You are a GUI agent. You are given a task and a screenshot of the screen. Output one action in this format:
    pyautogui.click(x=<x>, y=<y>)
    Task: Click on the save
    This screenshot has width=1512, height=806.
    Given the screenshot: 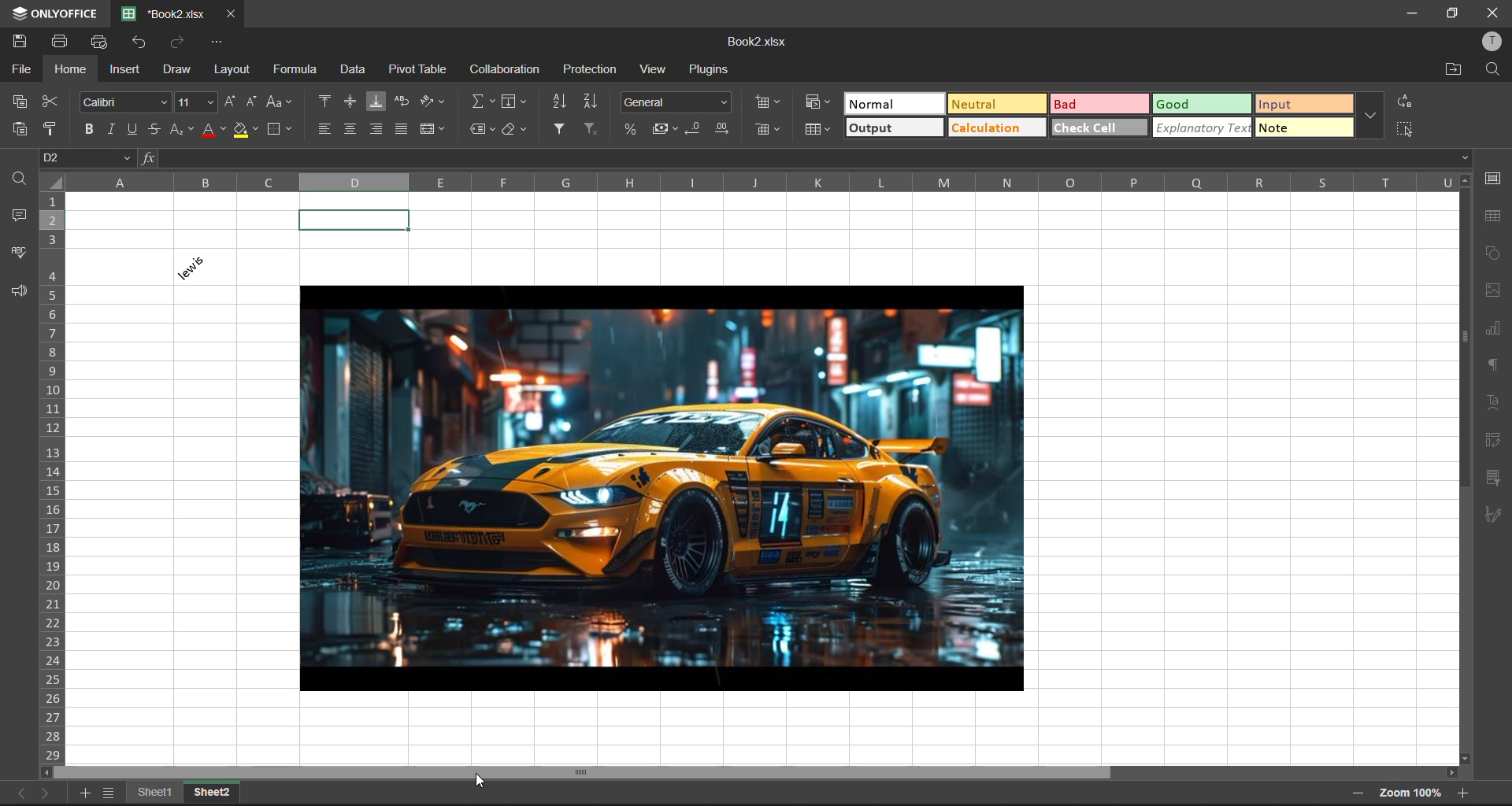 What is the action you would take?
    pyautogui.click(x=25, y=44)
    